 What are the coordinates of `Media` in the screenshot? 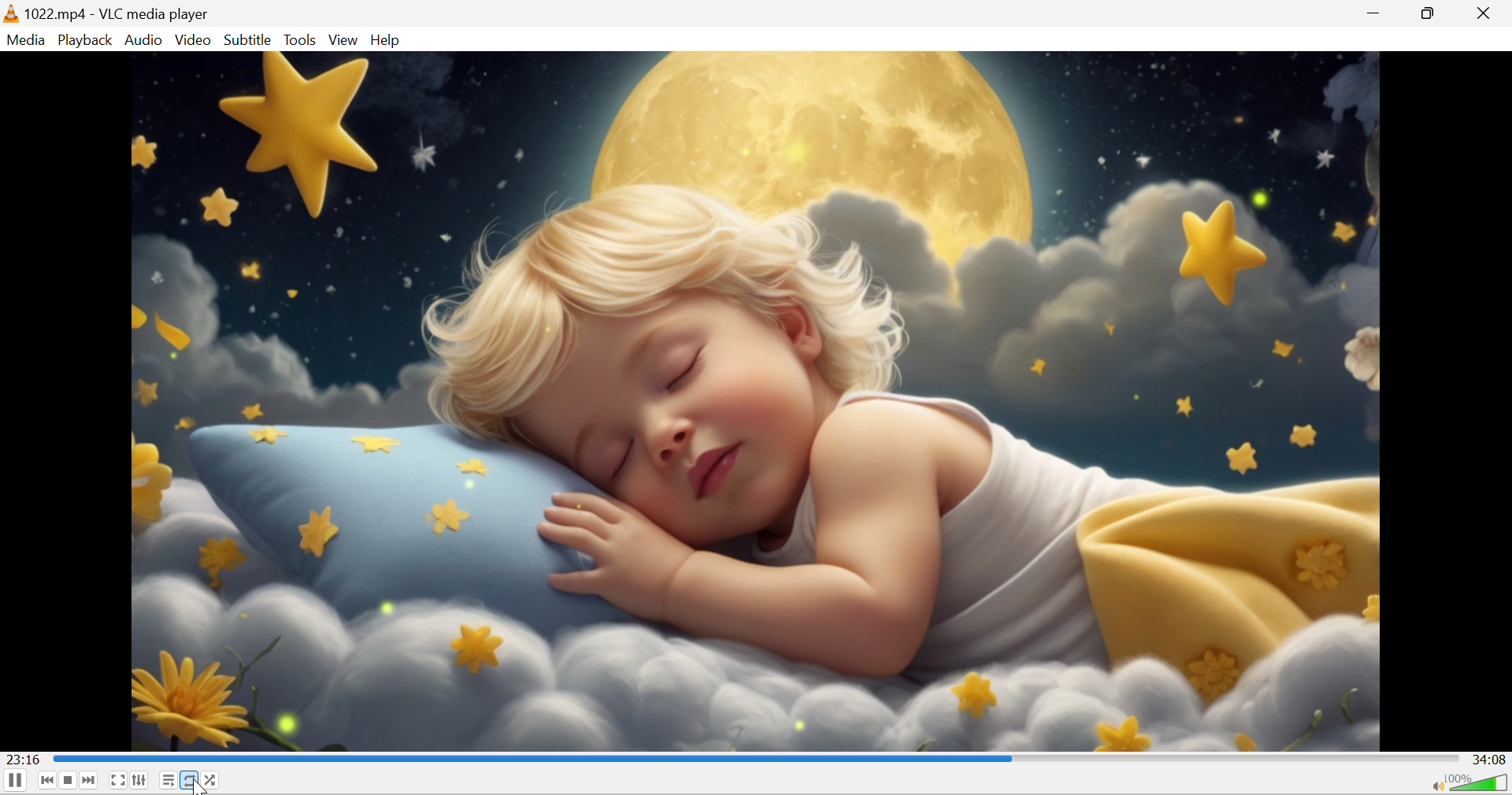 It's located at (25, 40).